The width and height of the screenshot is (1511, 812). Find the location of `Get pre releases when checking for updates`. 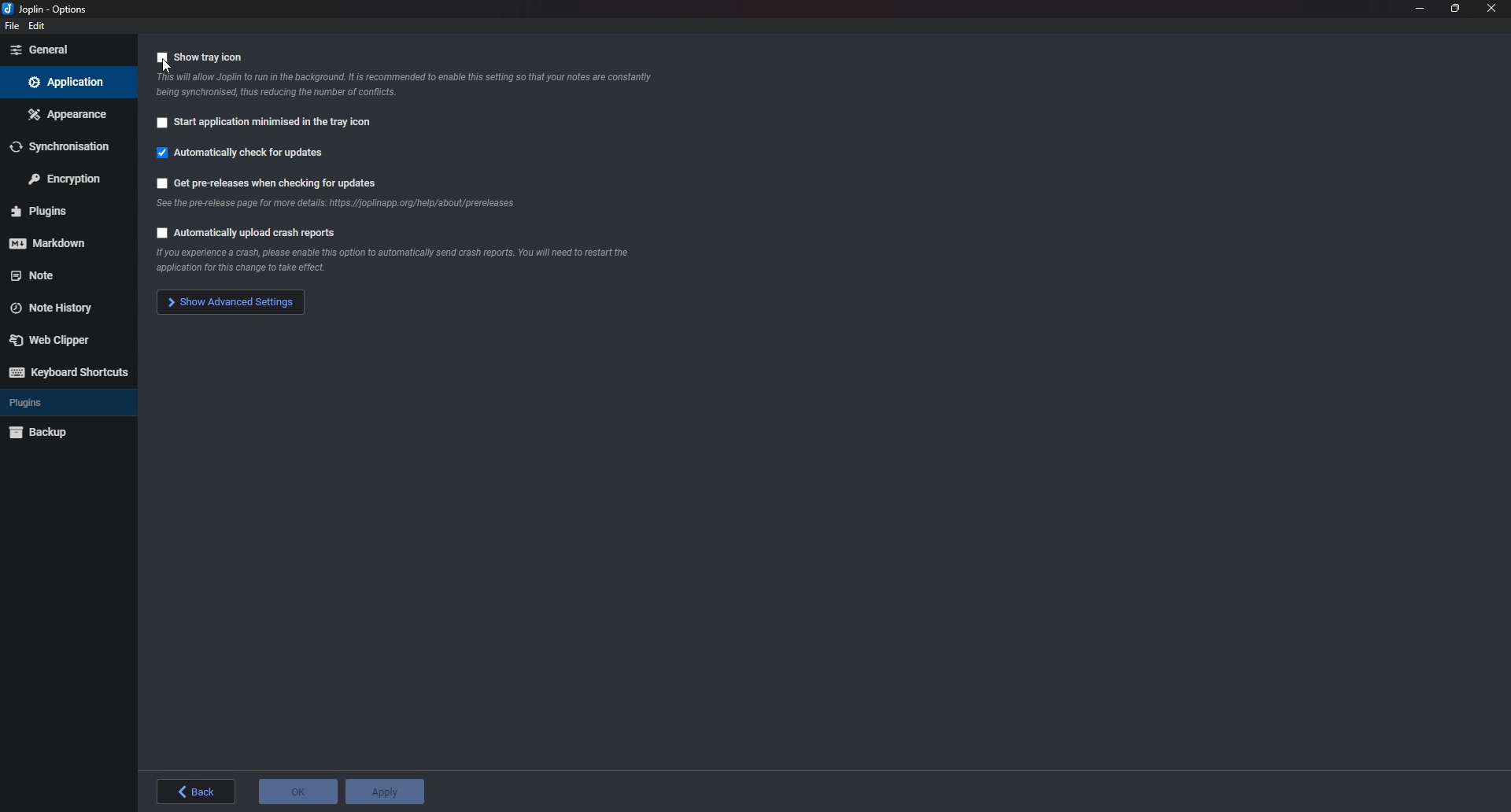

Get pre releases when checking for updates is located at coordinates (274, 183).